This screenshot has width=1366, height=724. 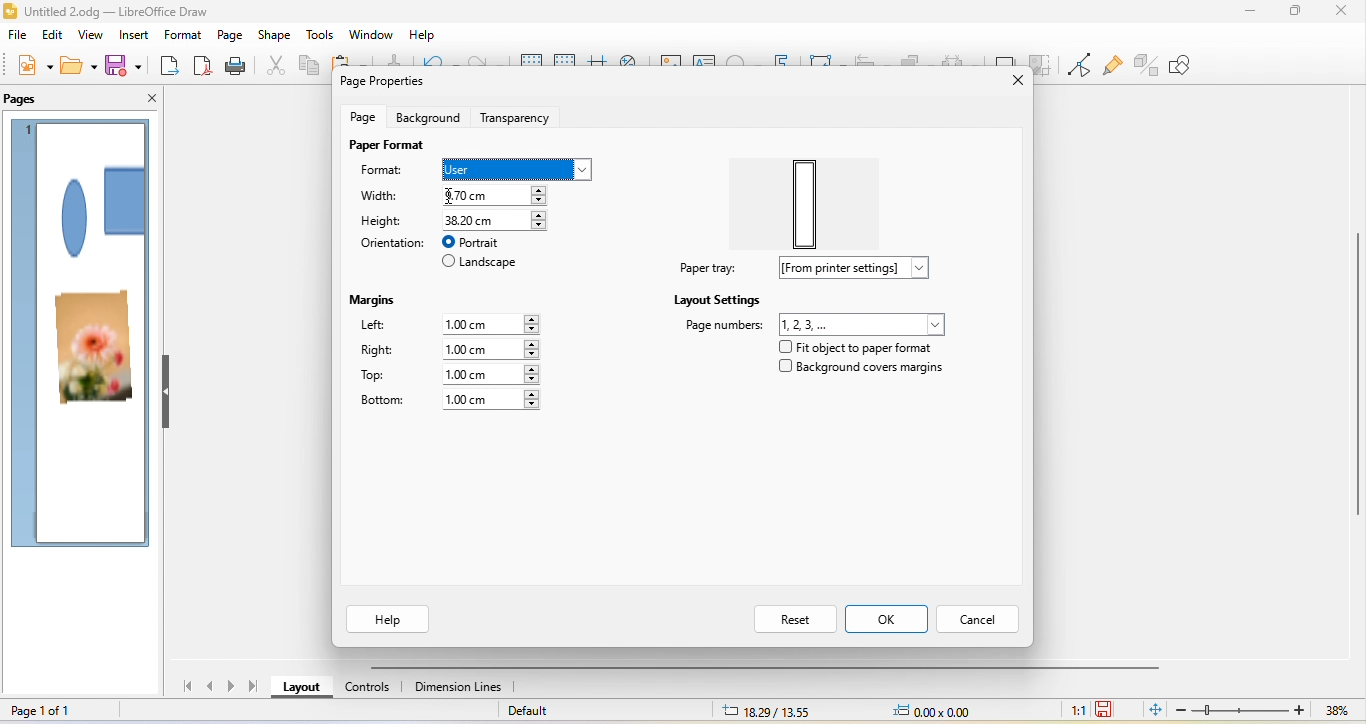 I want to click on reset, so click(x=795, y=619).